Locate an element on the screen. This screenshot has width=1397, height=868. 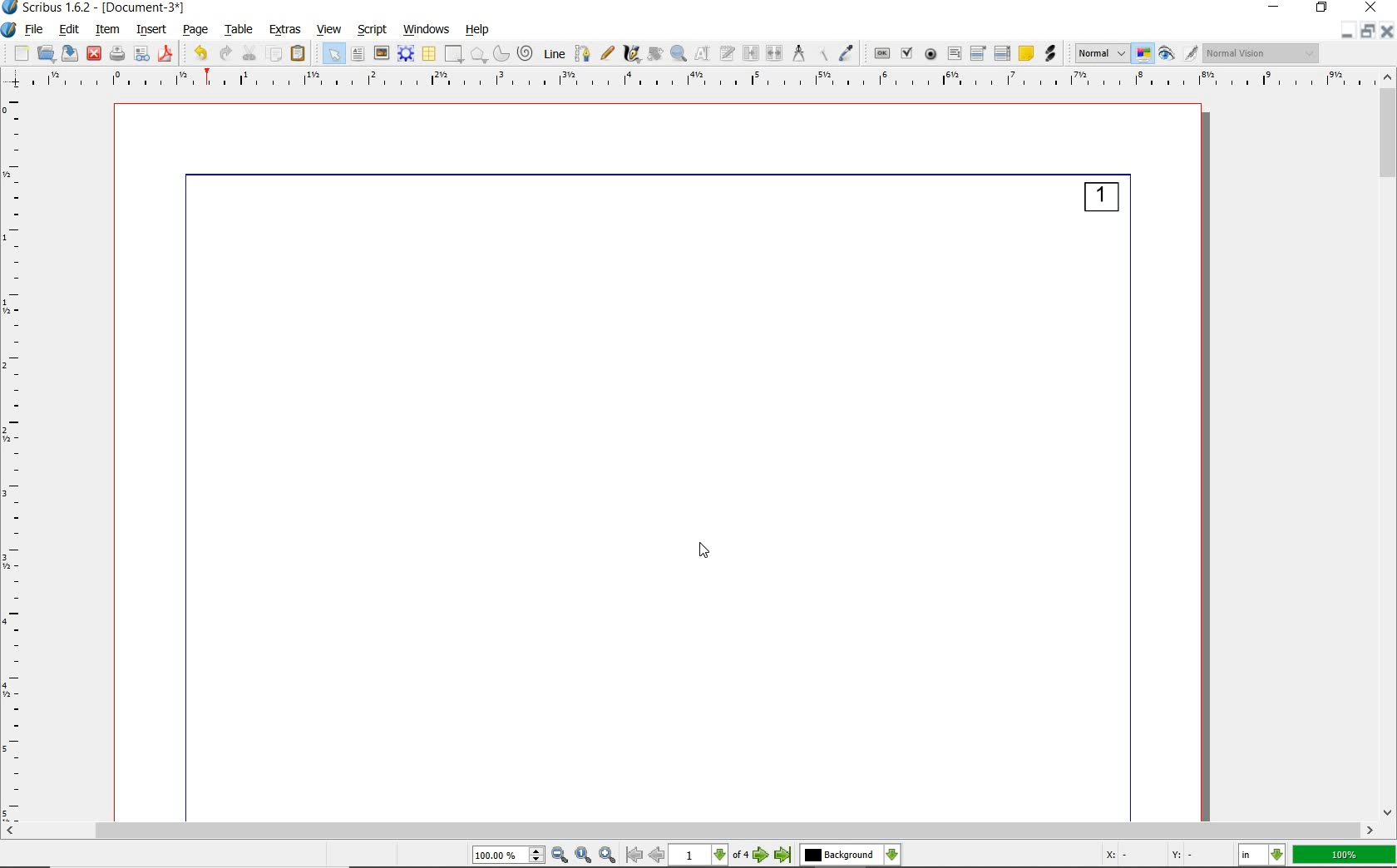
zoom factor 100% is located at coordinates (1345, 856).